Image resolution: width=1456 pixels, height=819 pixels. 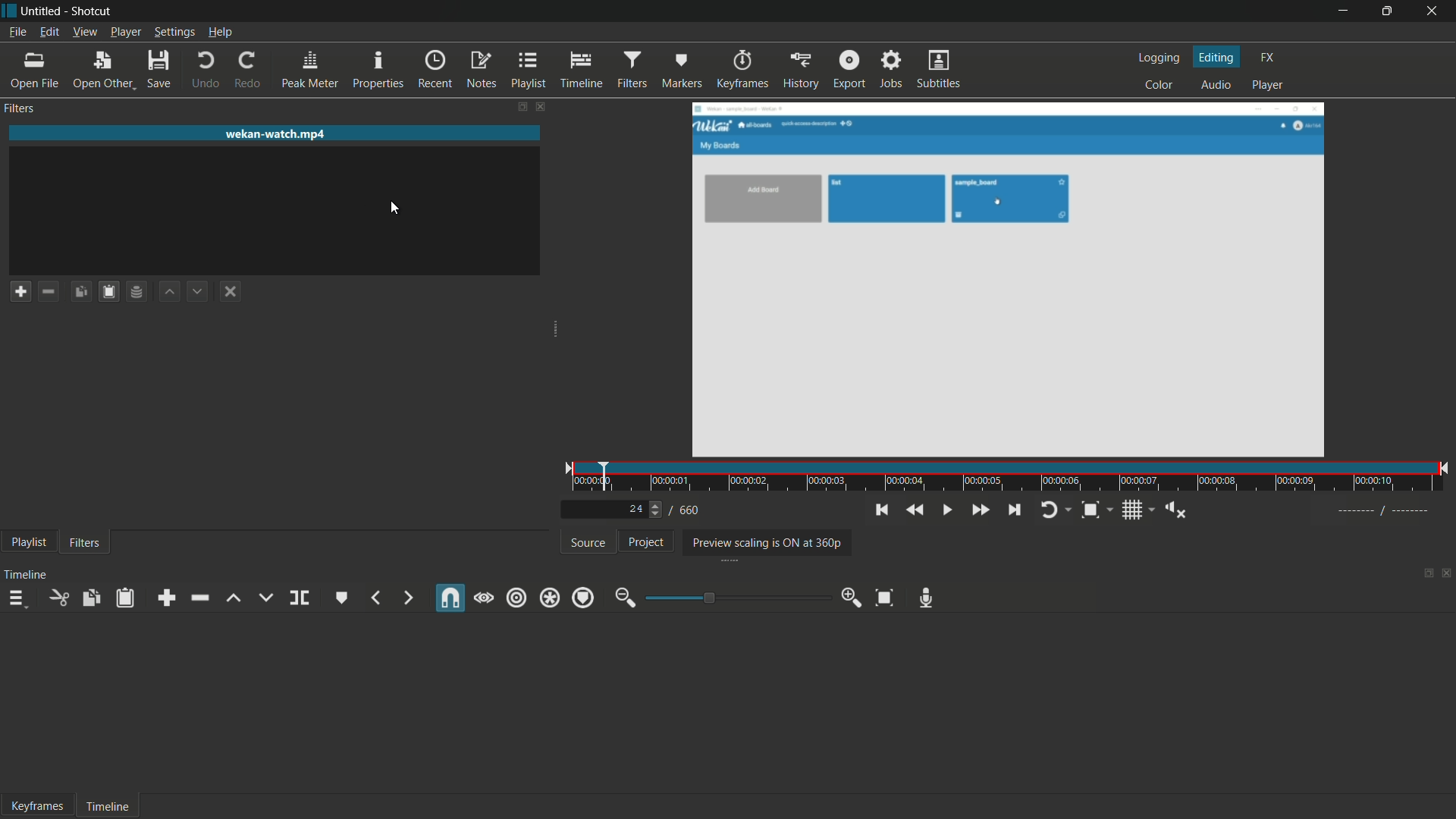 What do you see at coordinates (1343, 11) in the screenshot?
I see `minimize` at bounding box center [1343, 11].